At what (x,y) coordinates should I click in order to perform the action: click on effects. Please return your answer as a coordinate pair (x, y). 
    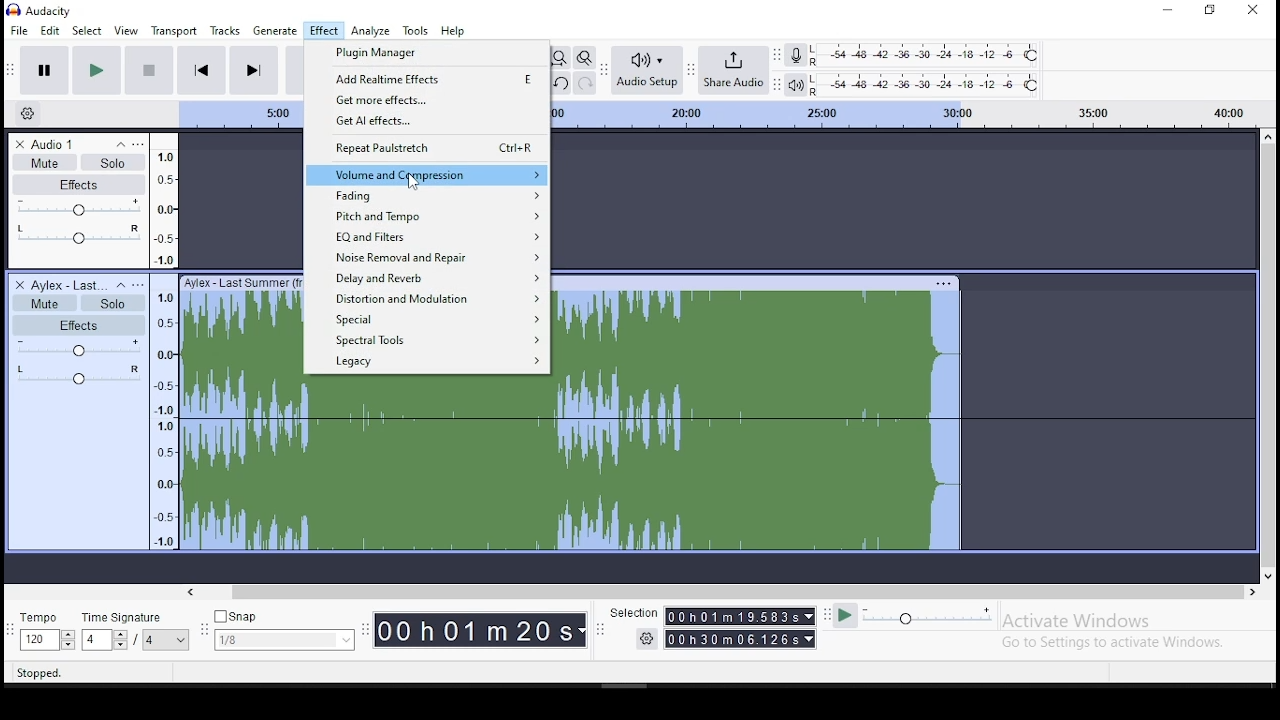
    Looking at the image, I should click on (79, 185).